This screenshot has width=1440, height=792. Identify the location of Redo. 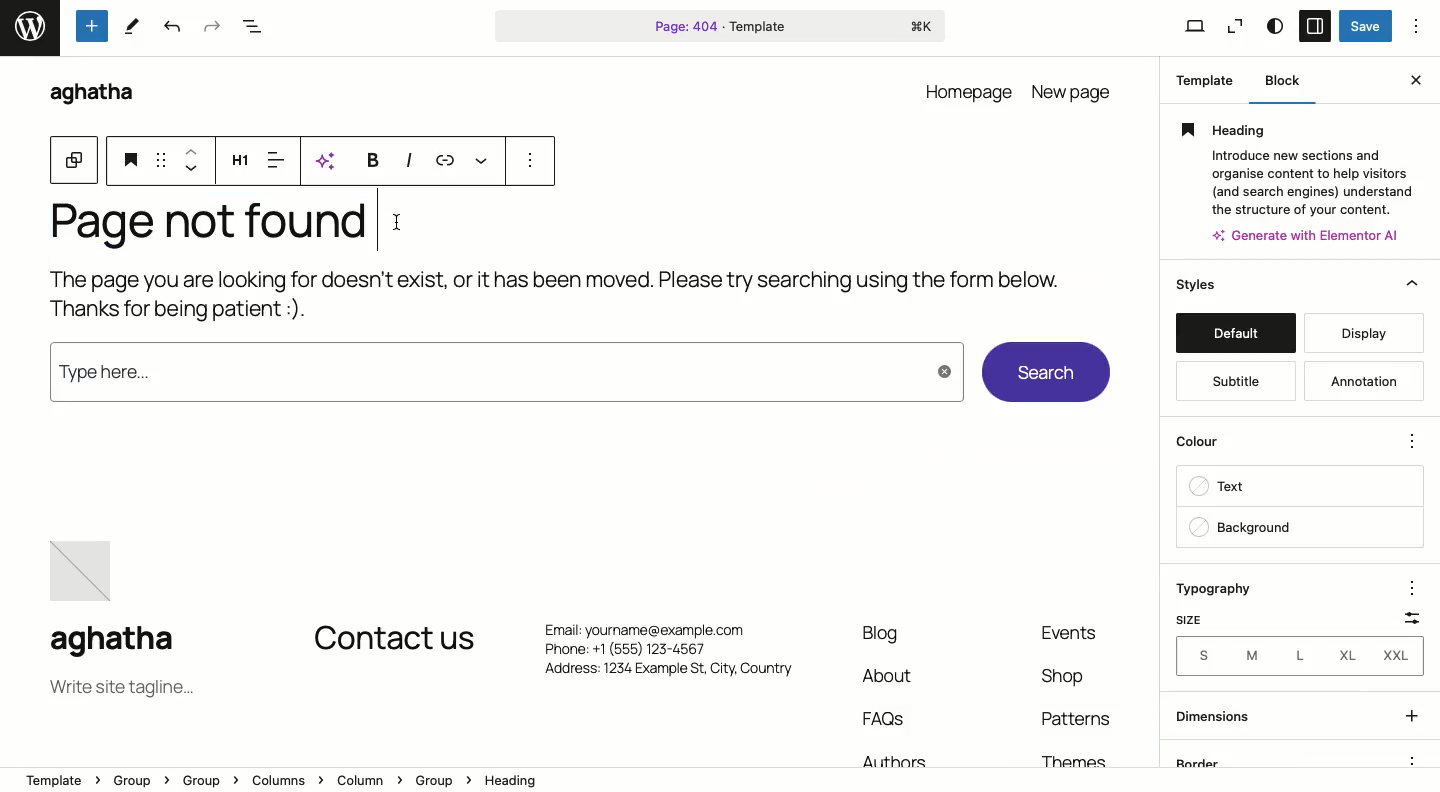
(209, 27).